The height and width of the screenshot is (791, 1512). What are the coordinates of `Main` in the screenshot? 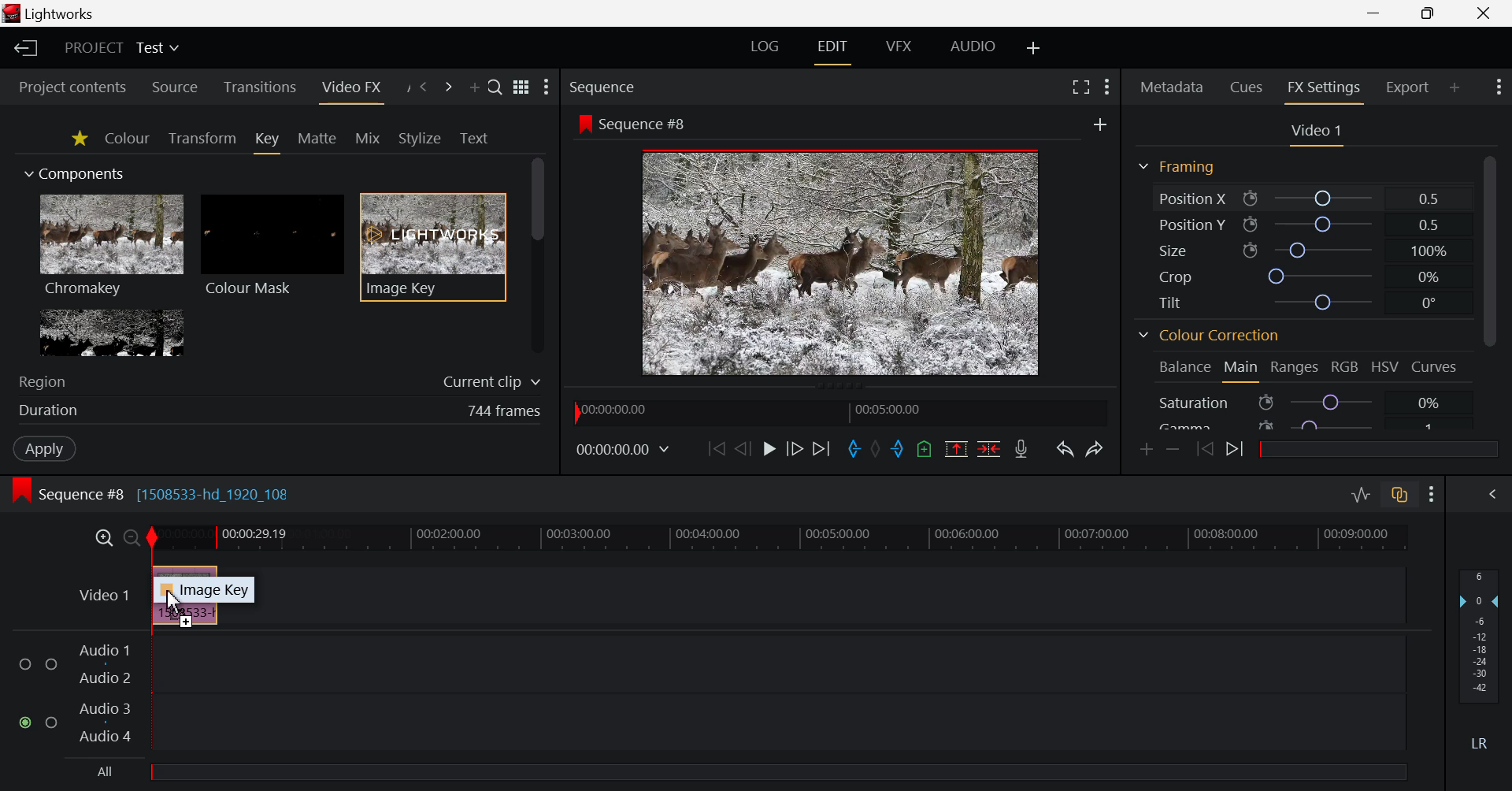 It's located at (1241, 368).